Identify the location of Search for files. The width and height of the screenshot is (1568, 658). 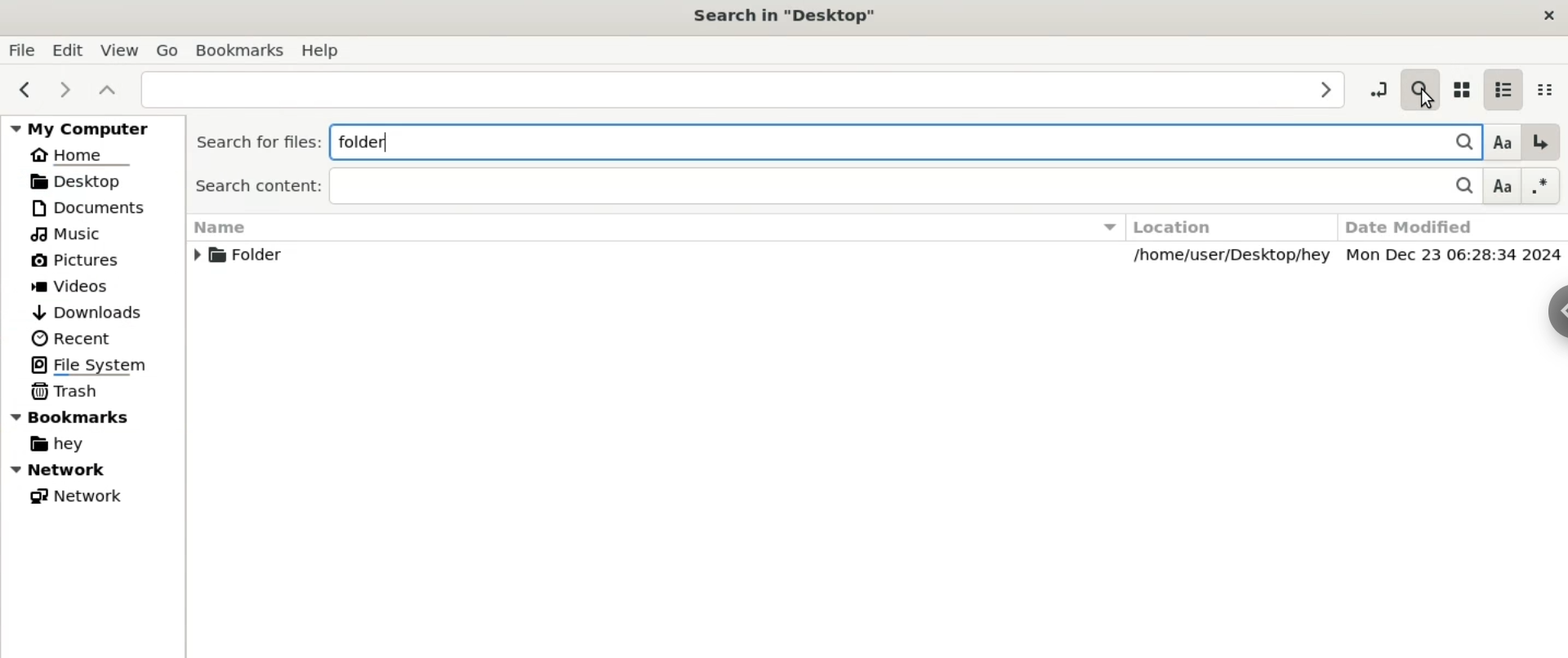
(255, 142).